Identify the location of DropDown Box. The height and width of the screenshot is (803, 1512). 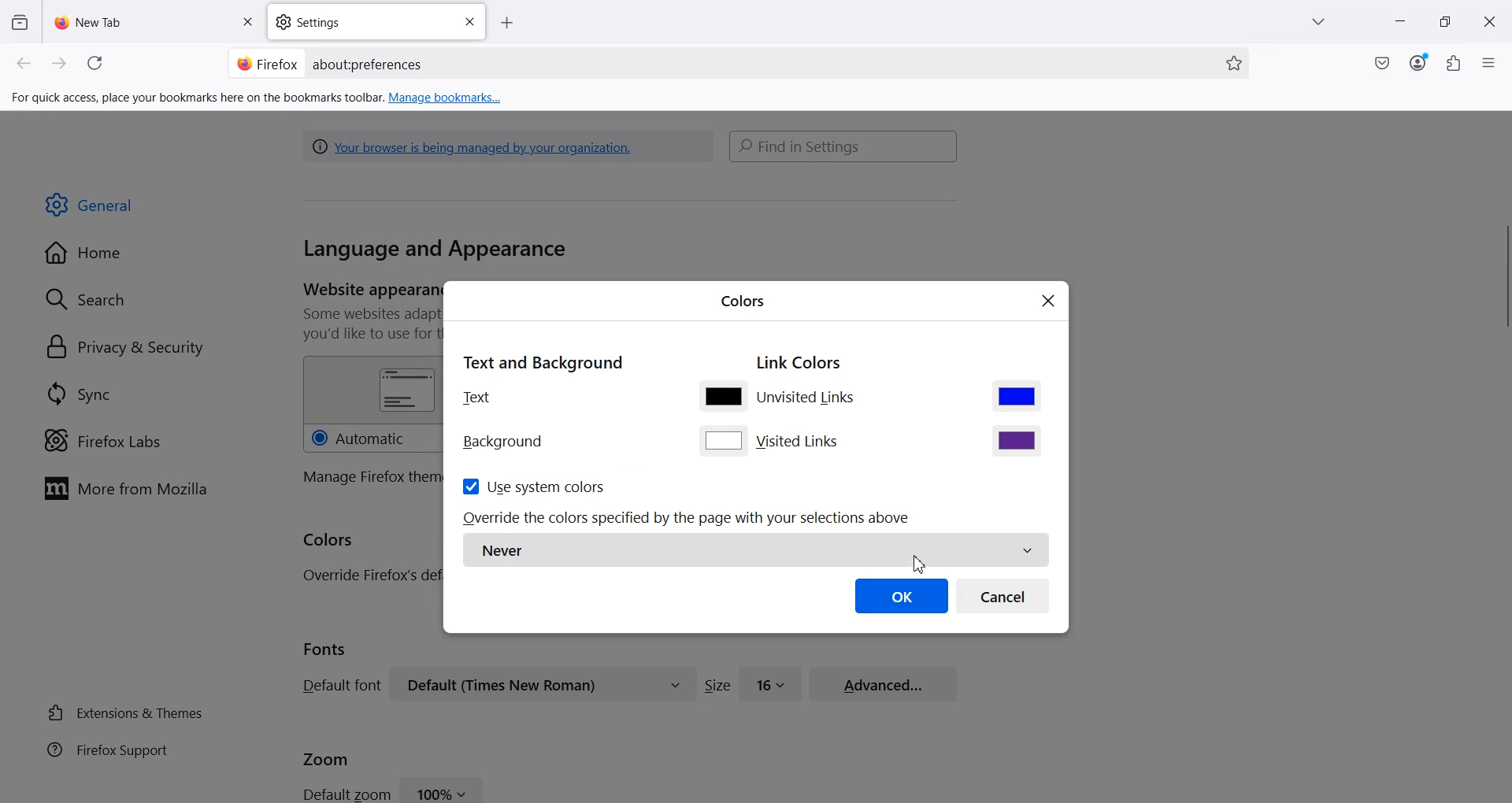
(1322, 22).